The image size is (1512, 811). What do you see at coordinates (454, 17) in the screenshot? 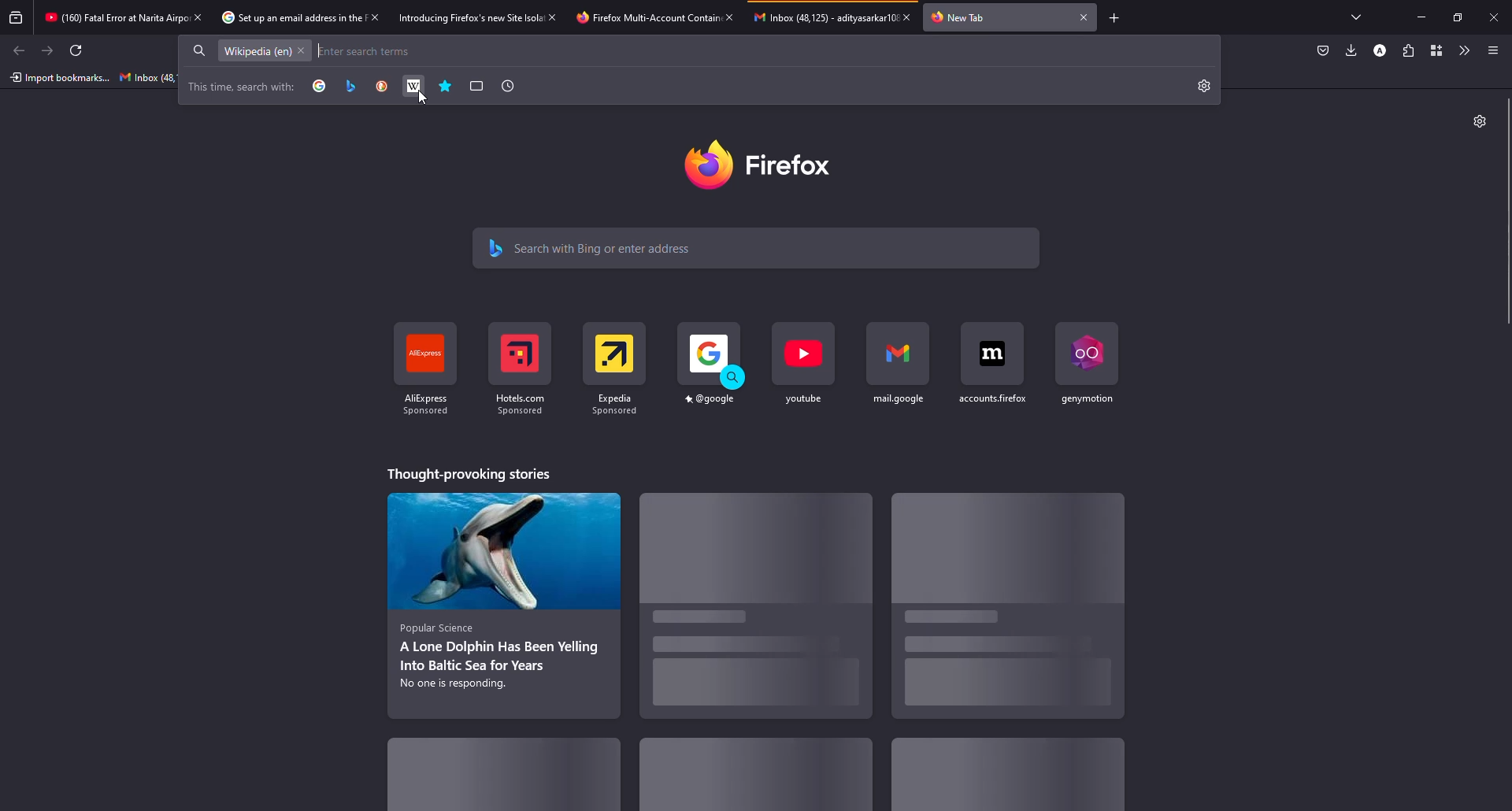
I see `tab` at bounding box center [454, 17].